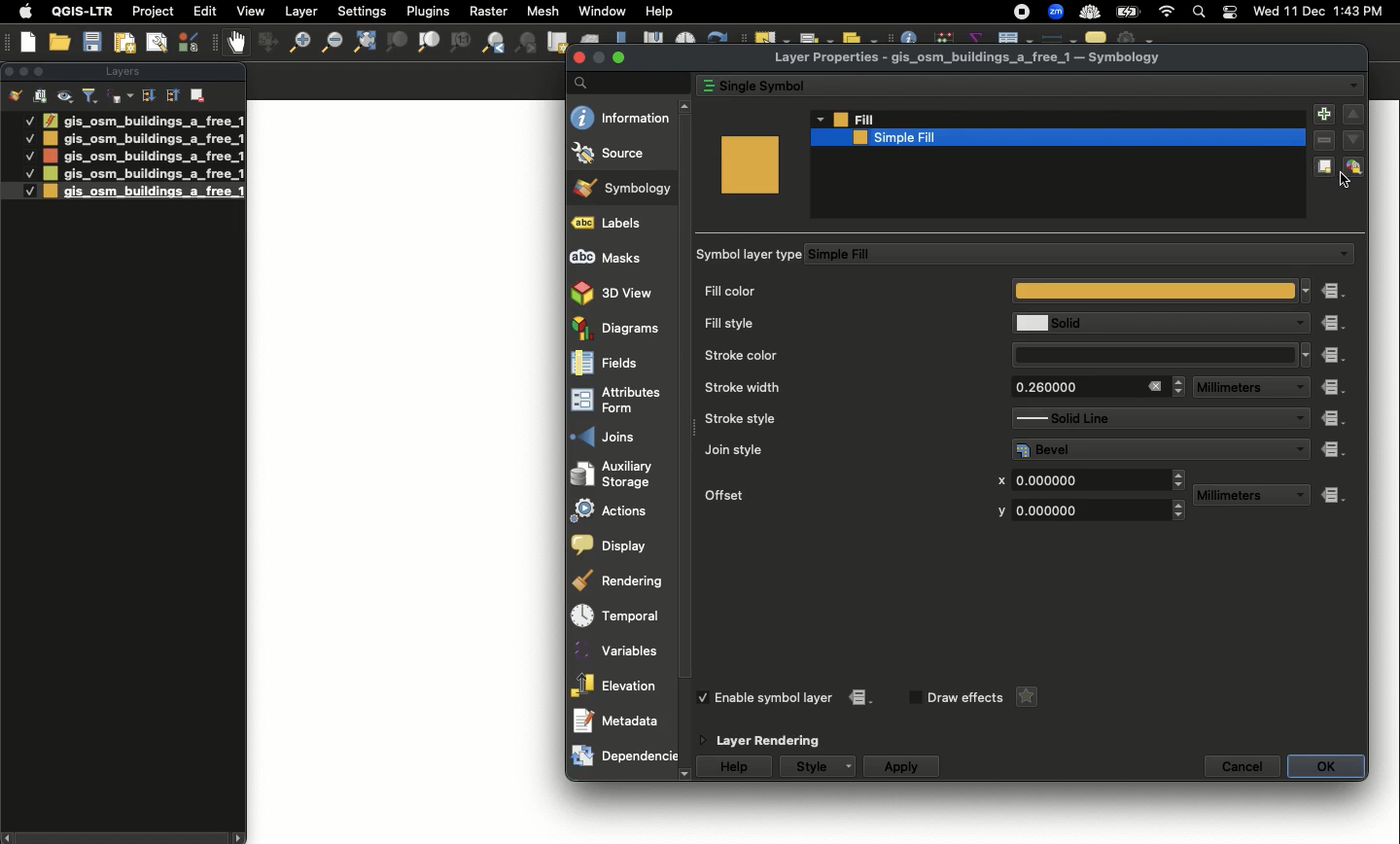 This screenshot has height=844, width=1400. I want to click on Zoom first, so click(527, 44).